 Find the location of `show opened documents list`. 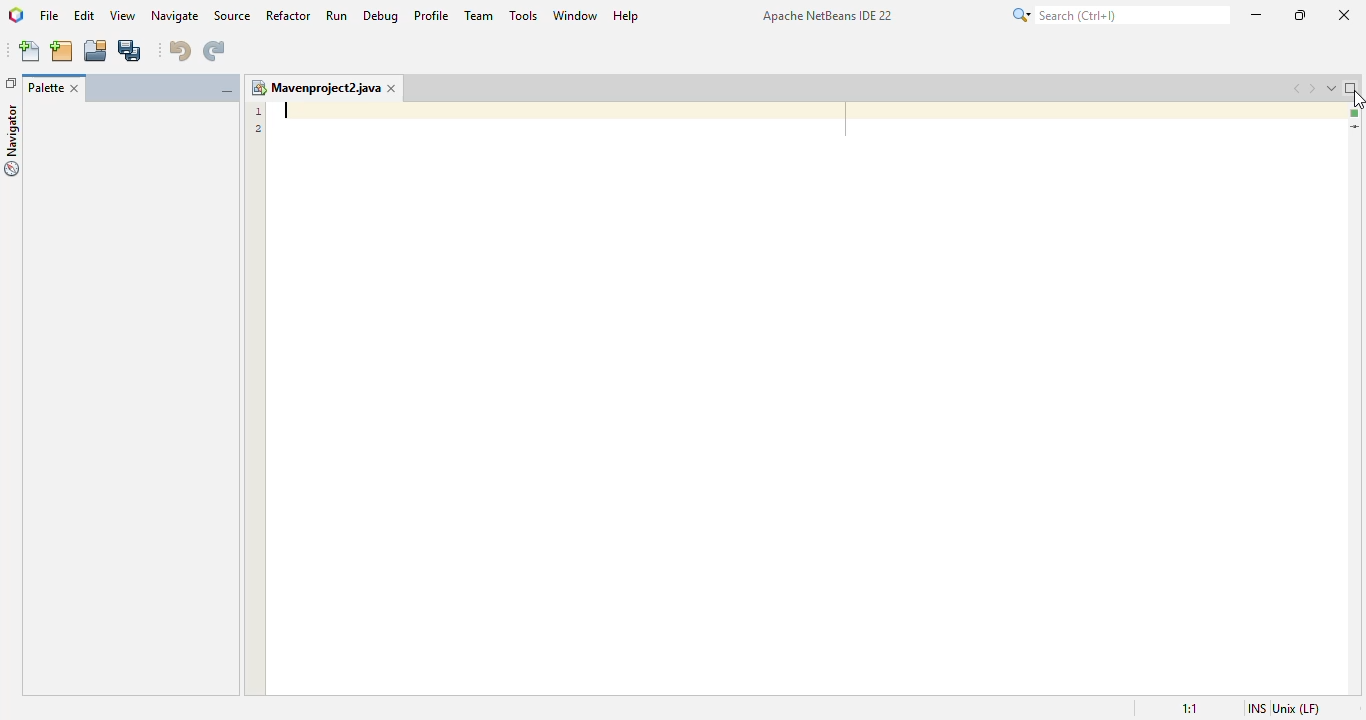

show opened documents list is located at coordinates (1332, 88).